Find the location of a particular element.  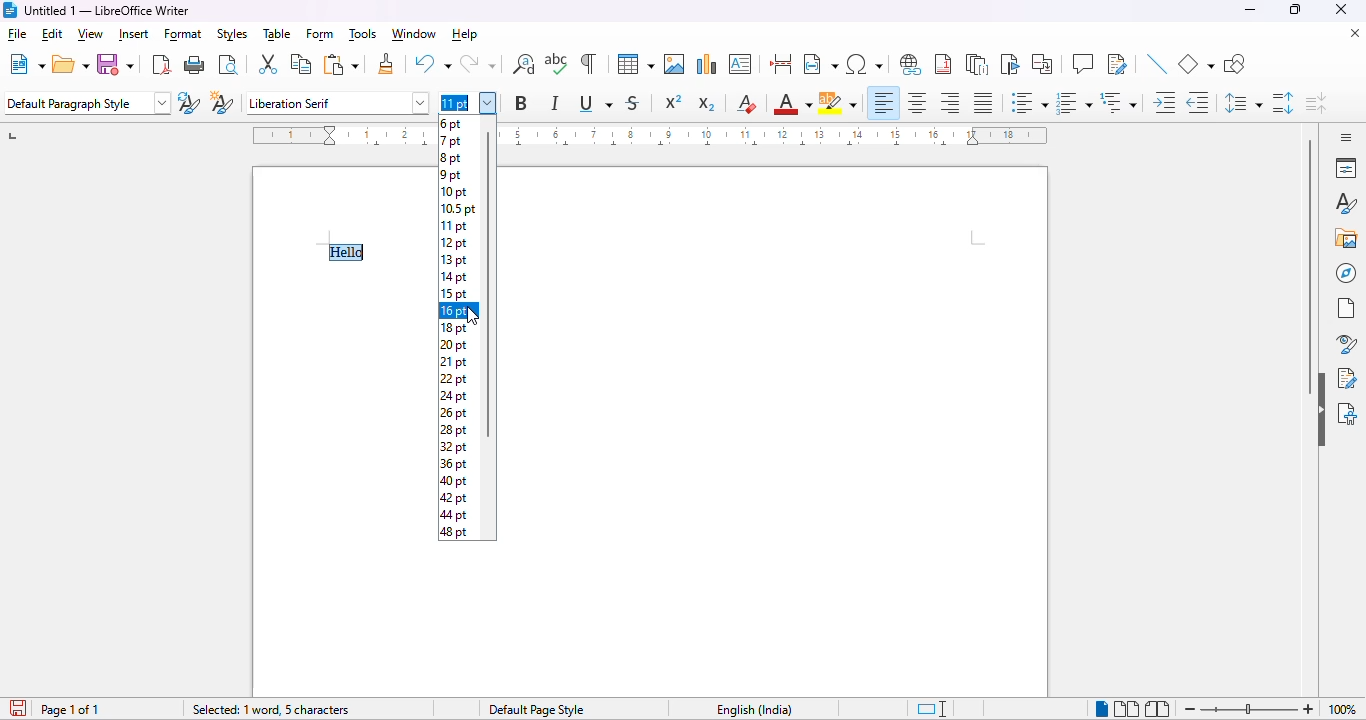

gallery is located at coordinates (1345, 238).